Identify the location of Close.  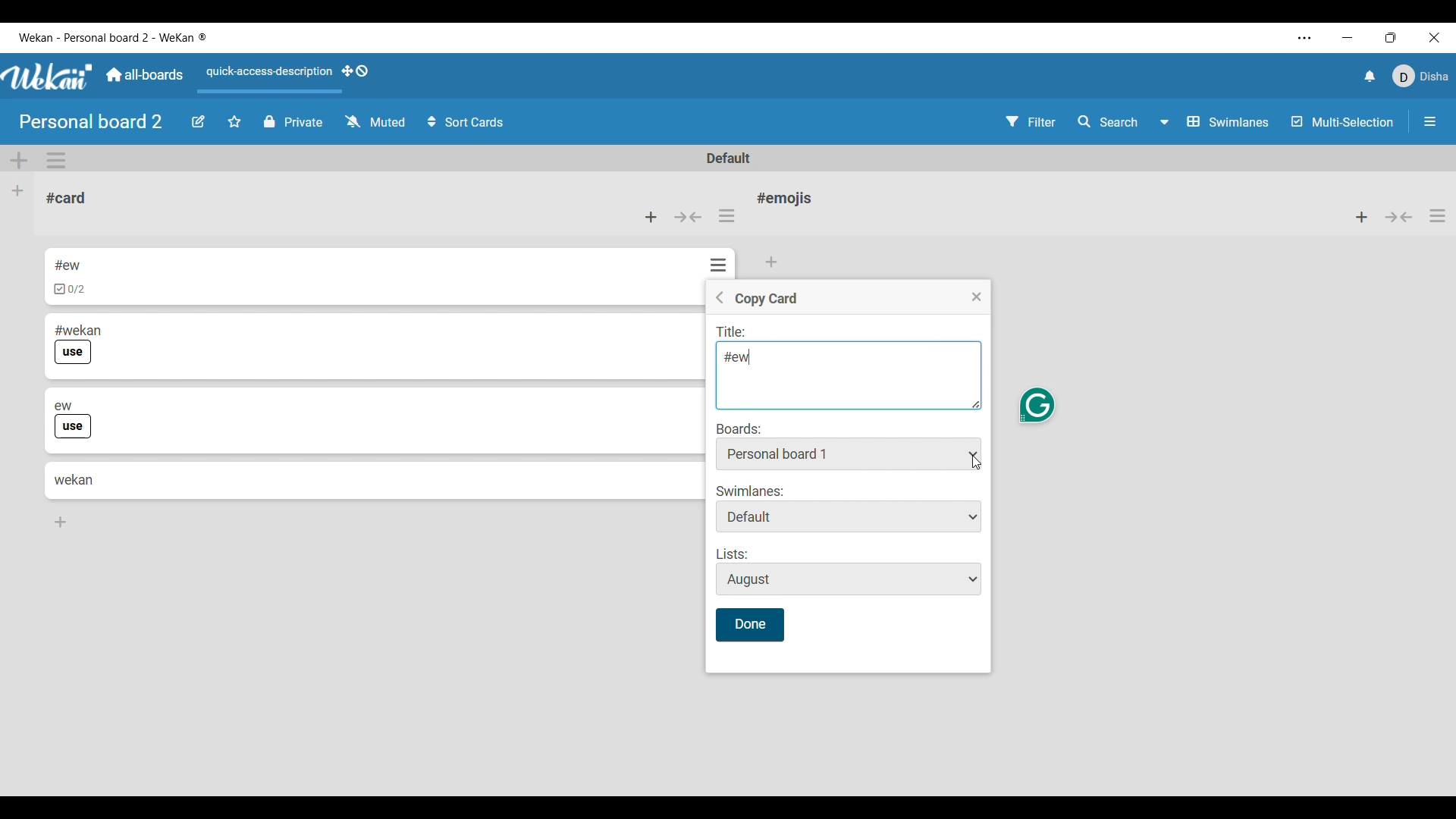
(977, 297).